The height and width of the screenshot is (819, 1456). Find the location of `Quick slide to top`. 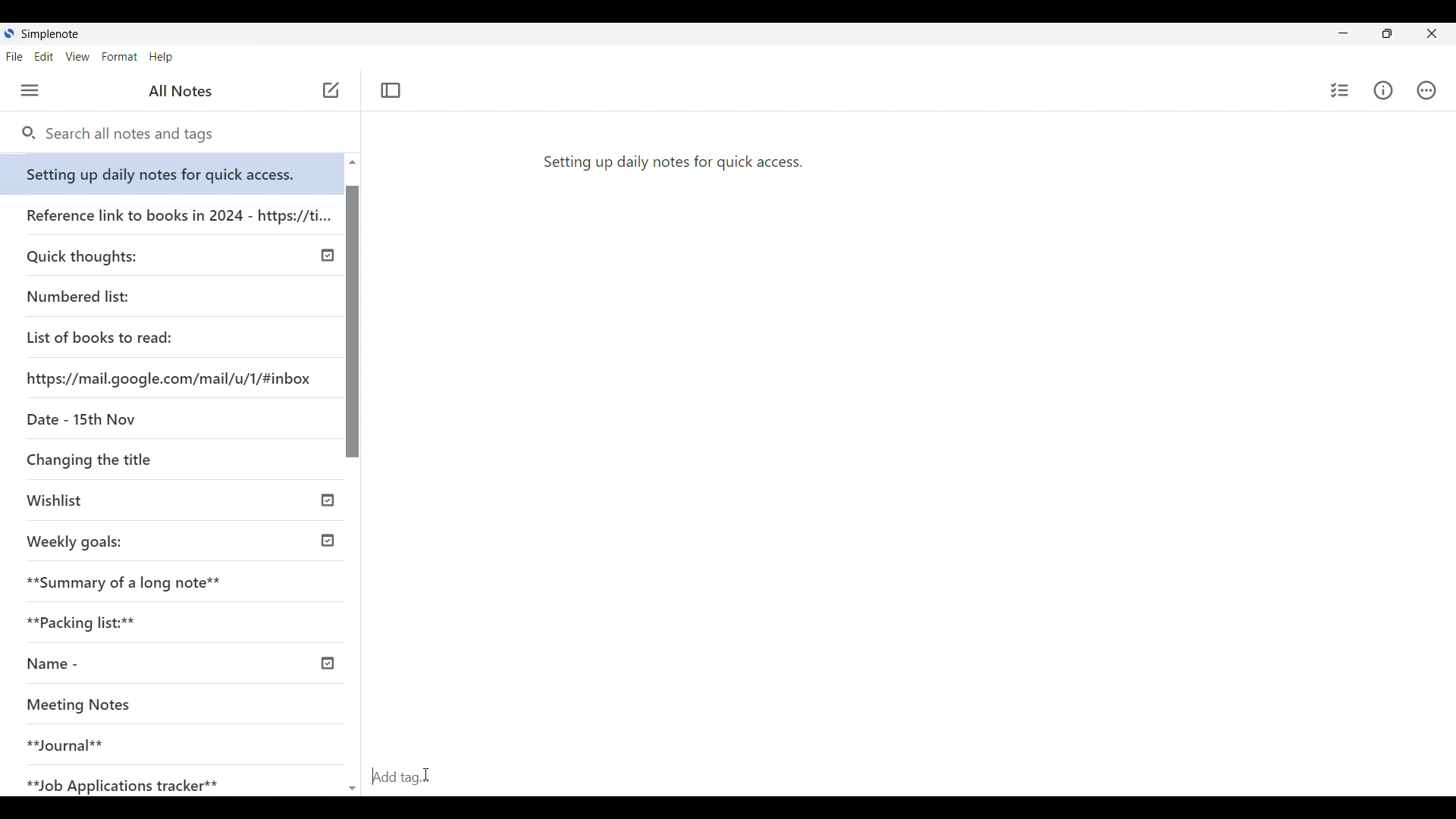

Quick slide to top is located at coordinates (353, 789).